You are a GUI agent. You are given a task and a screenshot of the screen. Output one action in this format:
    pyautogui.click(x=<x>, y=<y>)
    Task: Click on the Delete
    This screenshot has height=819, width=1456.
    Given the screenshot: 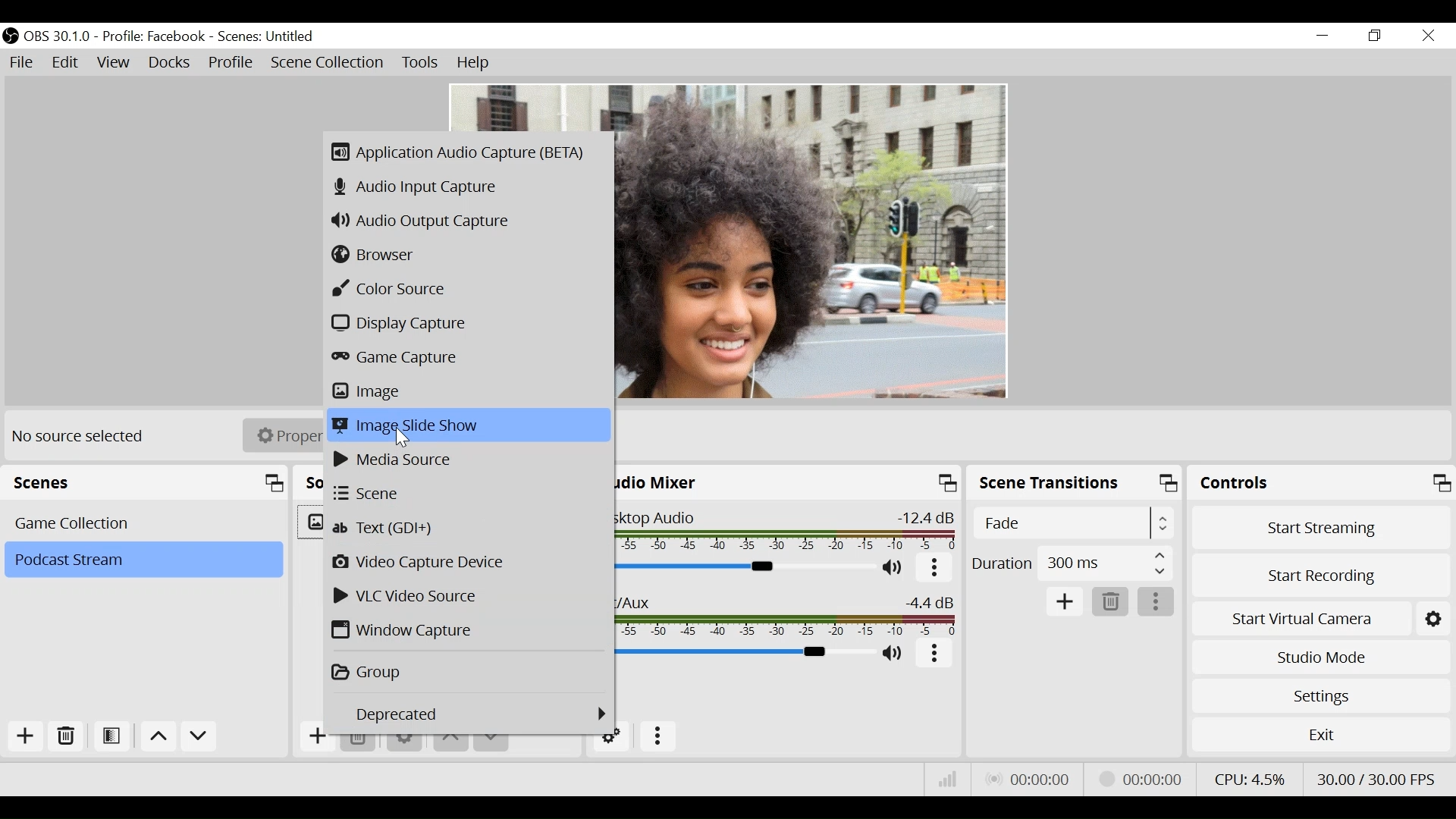 What is the action you would take?
    pyautogui.click(x=1111, y=603)
    